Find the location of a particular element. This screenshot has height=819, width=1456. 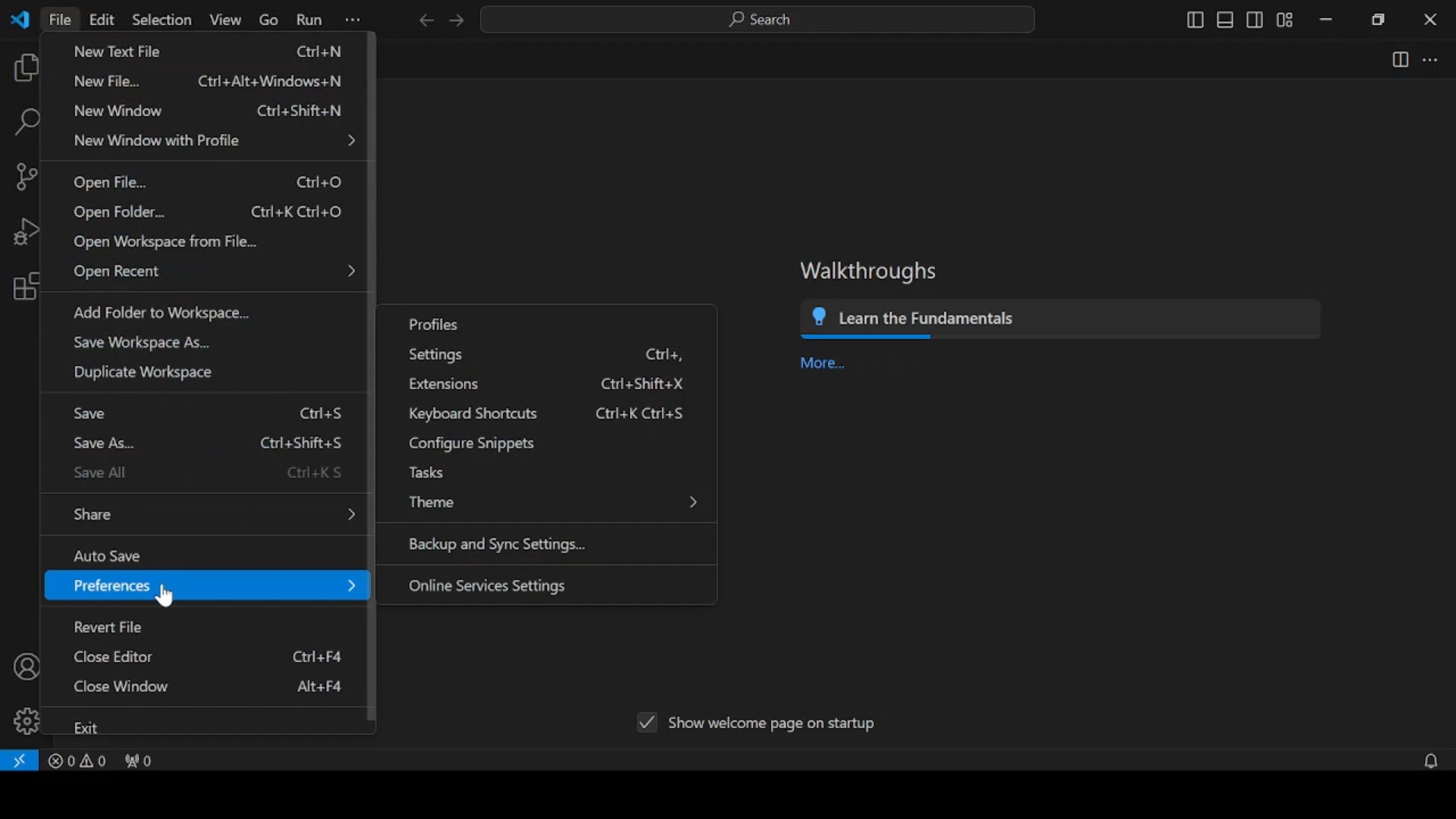

run is located at coordinates (309, 20).